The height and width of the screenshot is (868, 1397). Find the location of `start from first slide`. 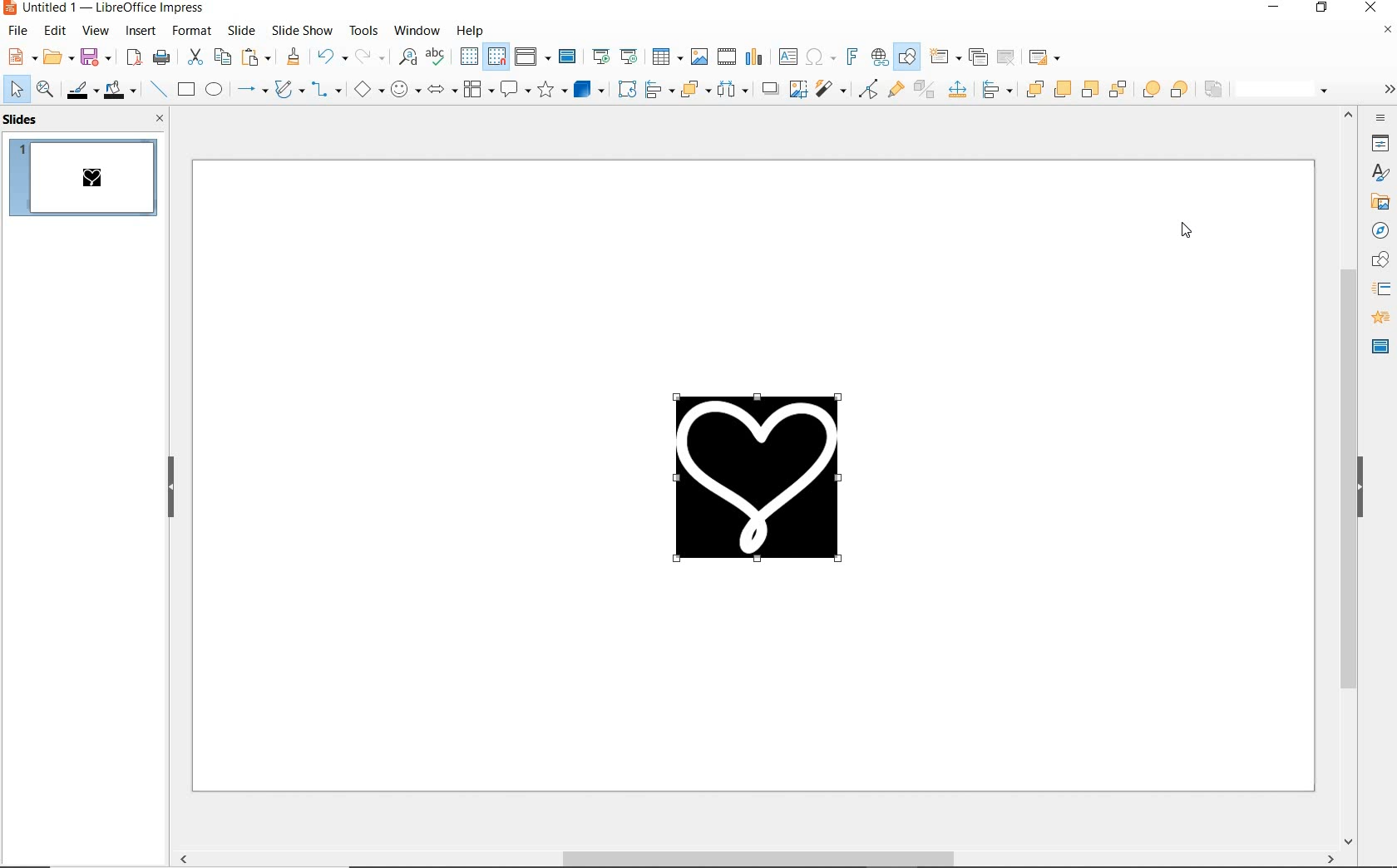

start from first slide is located at coordinates (600, 57).